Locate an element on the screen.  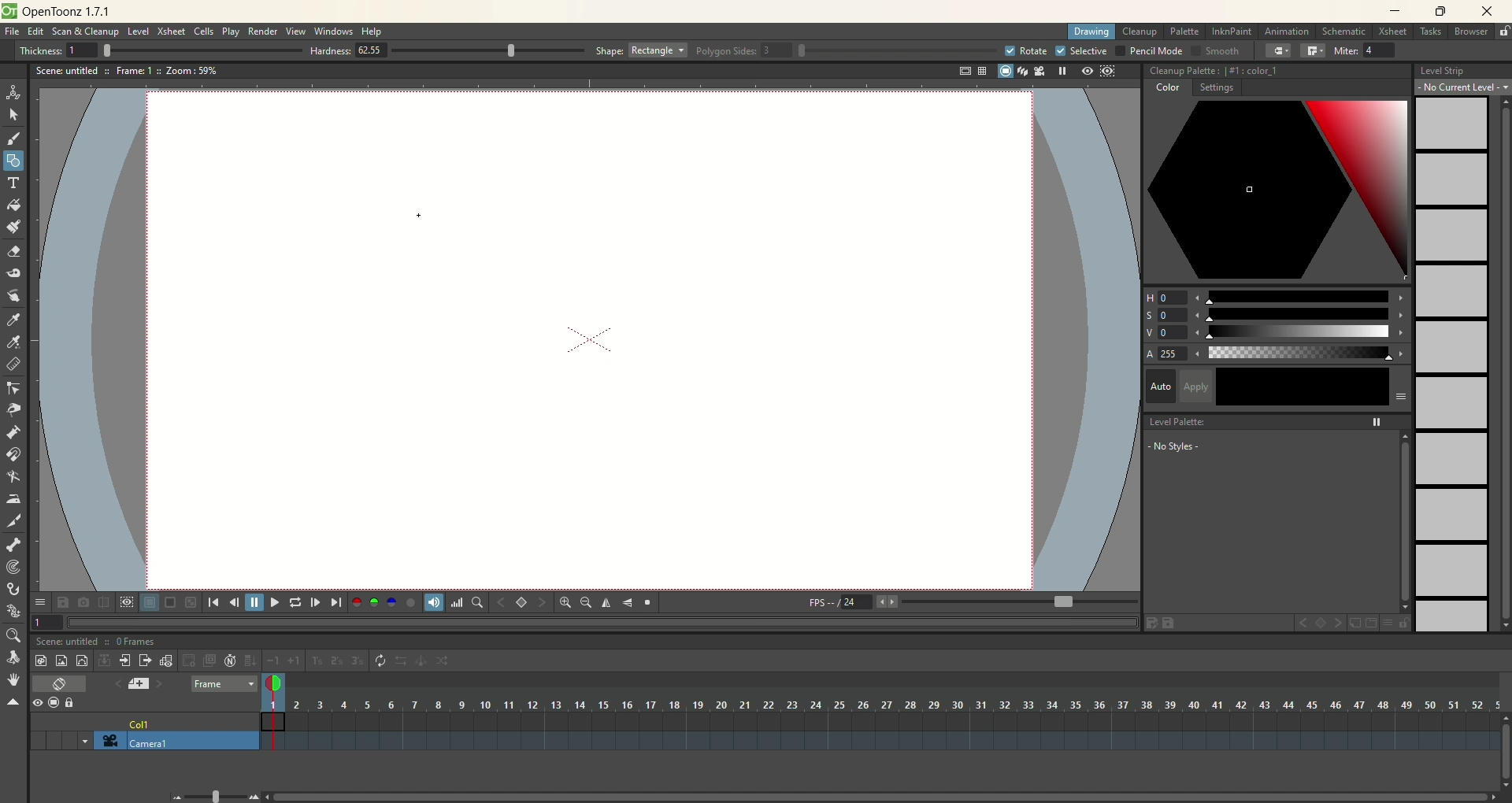
pump  is located at coordinates (13, 431).